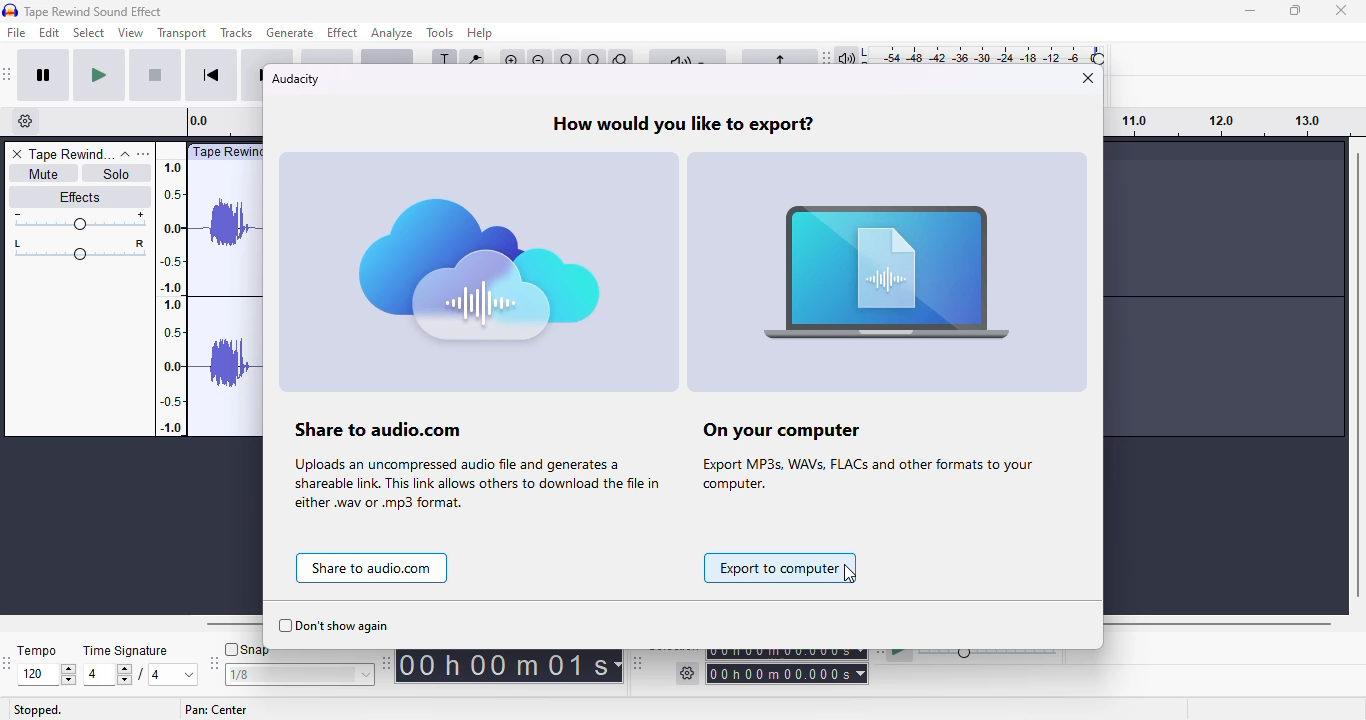 This screenshot has height=720, width=1366. What do you see at coordinates (681, 124) in the screenshot?
I see `how would you like to export?` at bounding box center [681, 124].